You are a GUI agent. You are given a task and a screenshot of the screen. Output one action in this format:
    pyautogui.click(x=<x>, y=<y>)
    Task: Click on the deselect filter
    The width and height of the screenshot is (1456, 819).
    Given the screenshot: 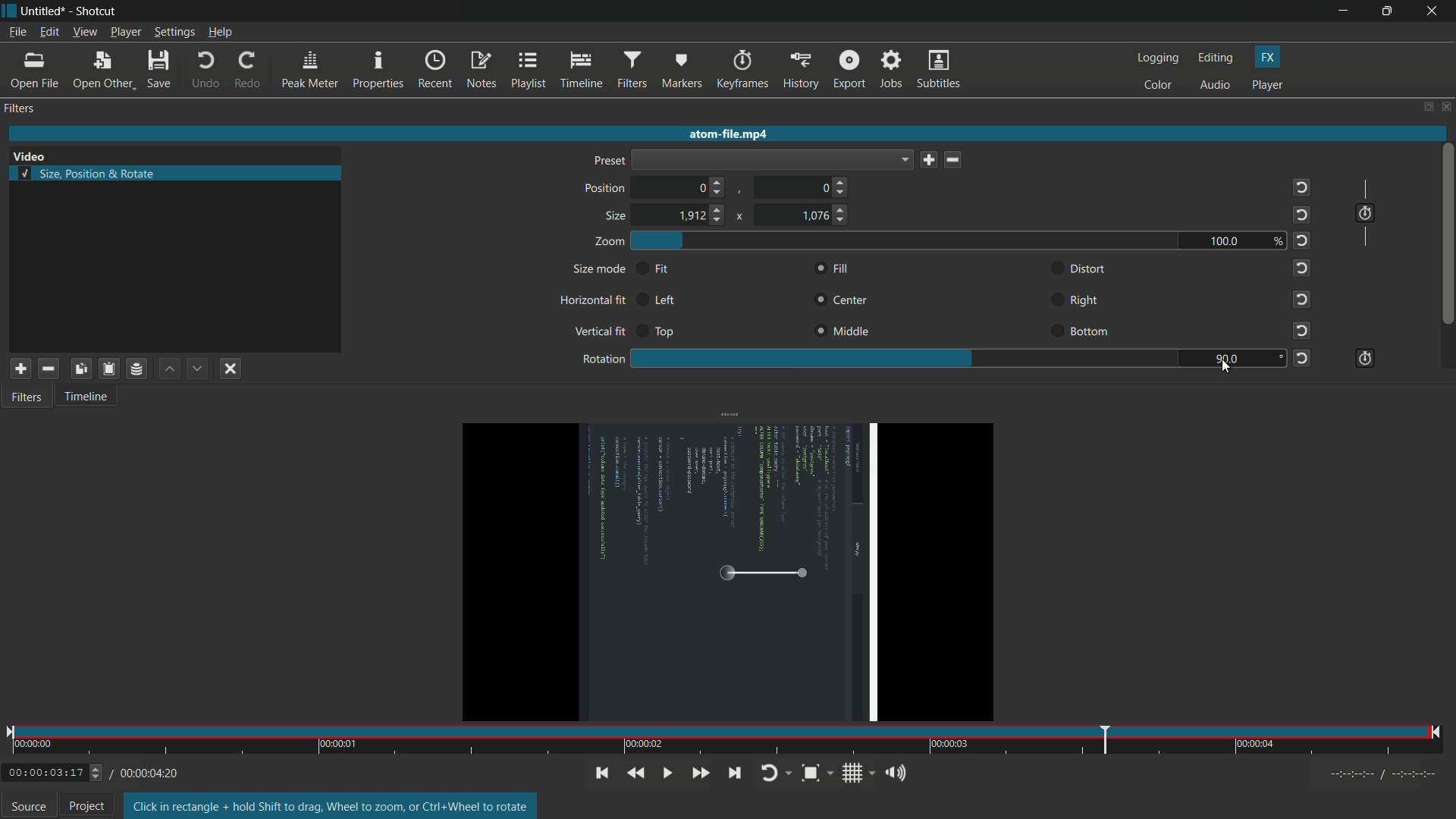 What is the action you would take?
    pyautogui.click(x=231, y=370)
    